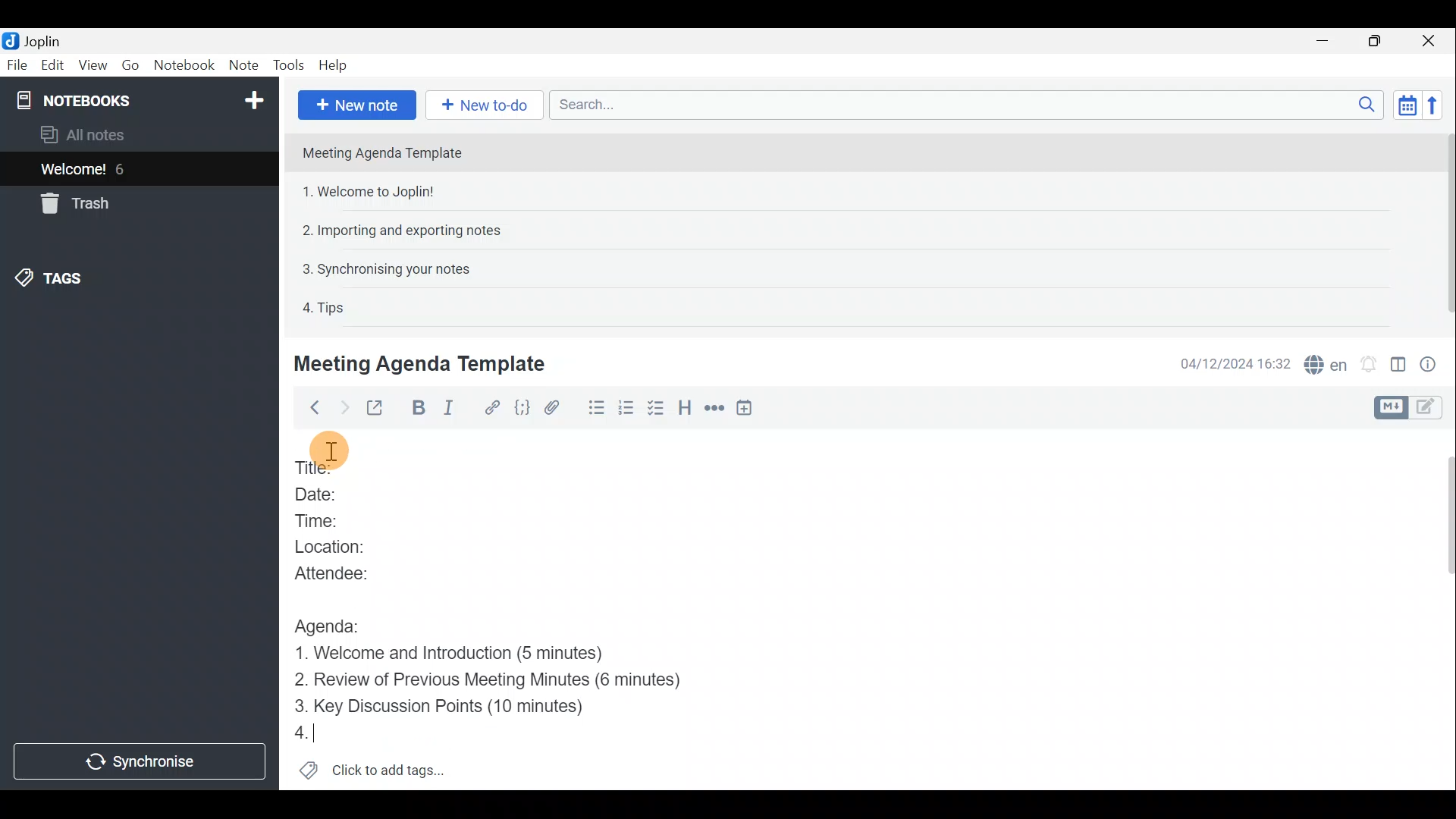 Image resolution: width=1456 pixels, height=819 pixels. Describe the element at coordinates (683, 412) in the screenshot. I see `Heading` at that location.